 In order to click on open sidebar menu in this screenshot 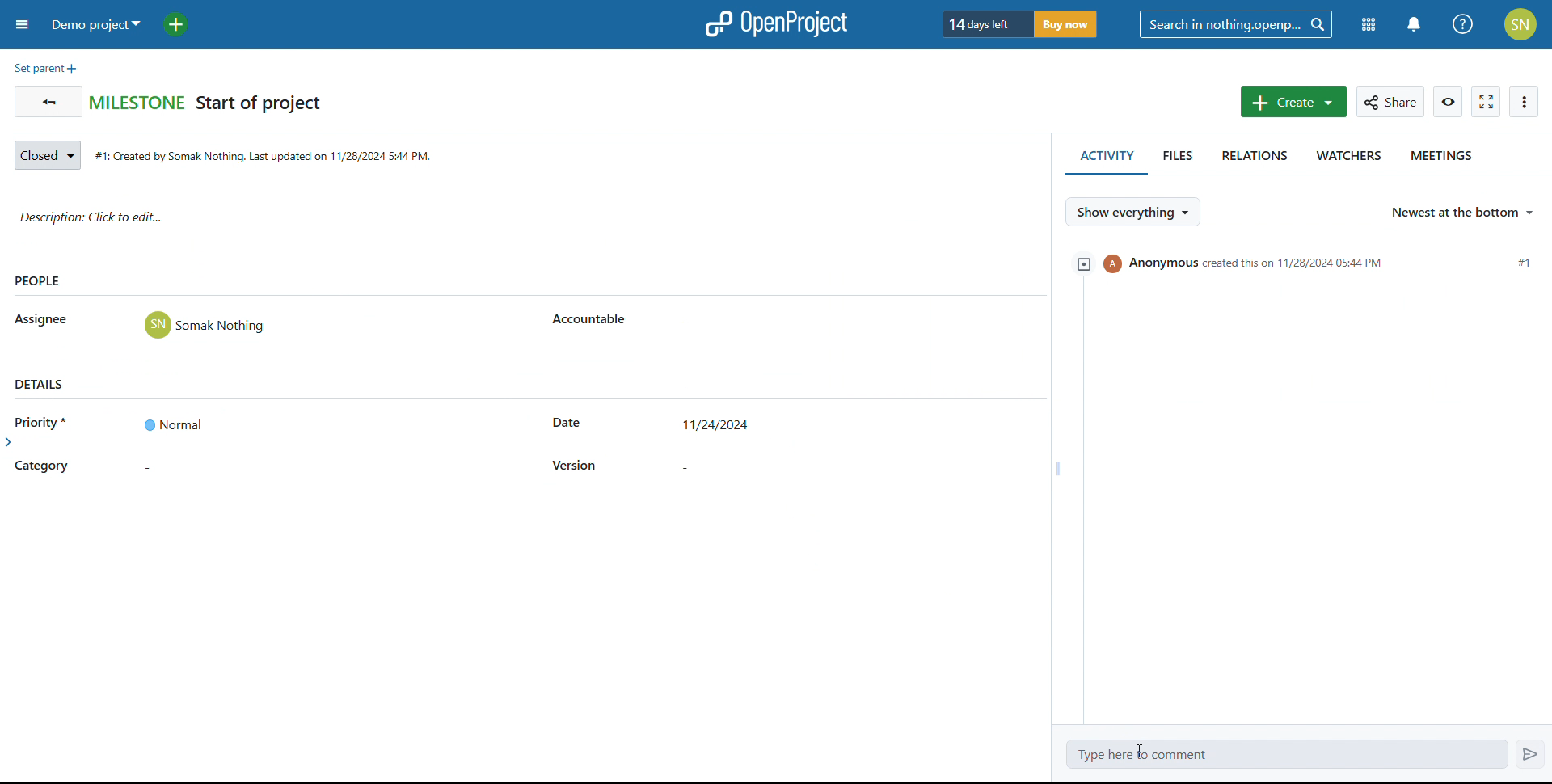, I will do `click(23, 24)`.